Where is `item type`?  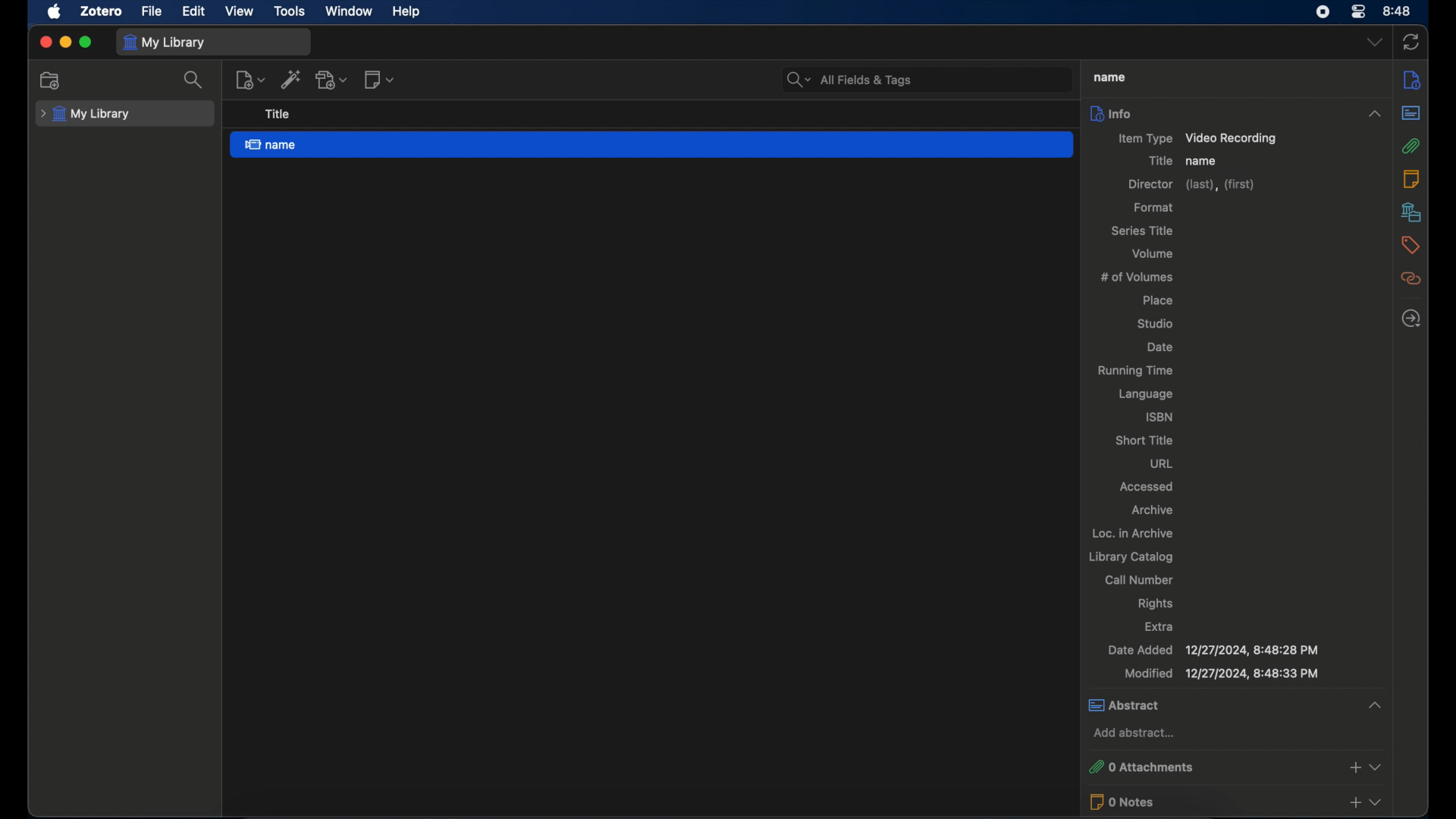
item type is located at coordinates (1196, 139).